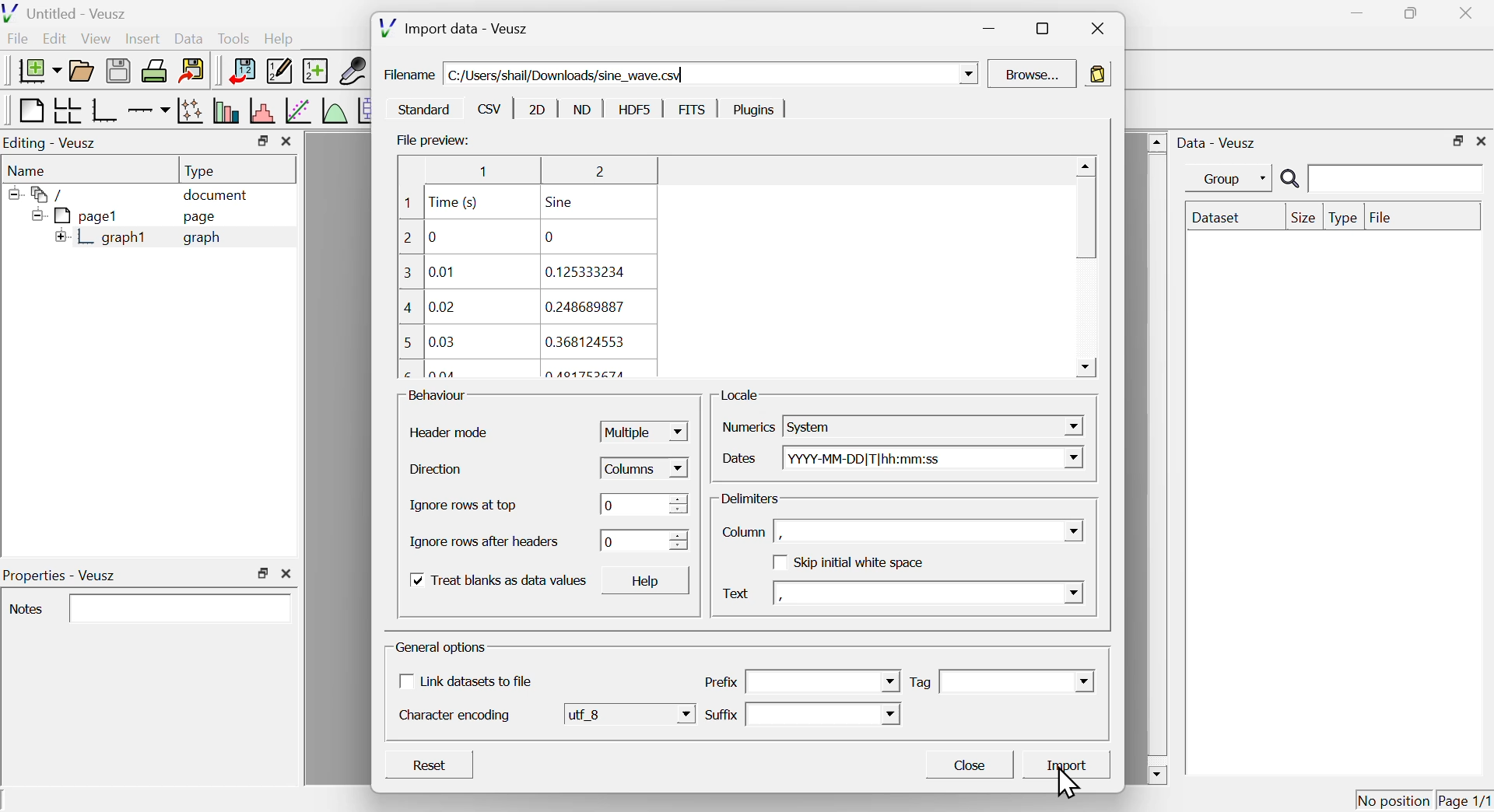 The image size is (1494, 812). I want to click on name, so click(30, 170).